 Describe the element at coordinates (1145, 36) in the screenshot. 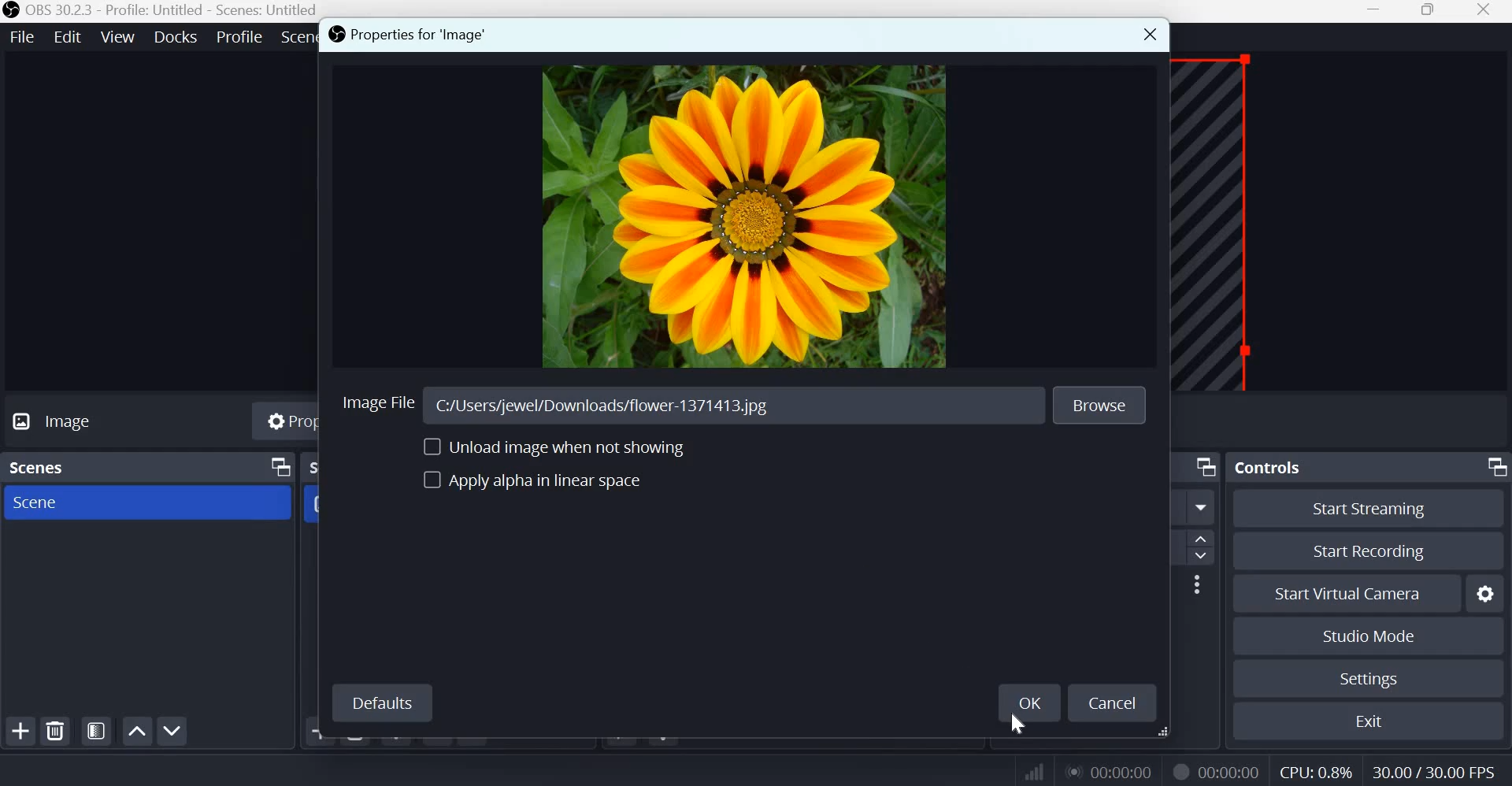

I see `Close` at that location.